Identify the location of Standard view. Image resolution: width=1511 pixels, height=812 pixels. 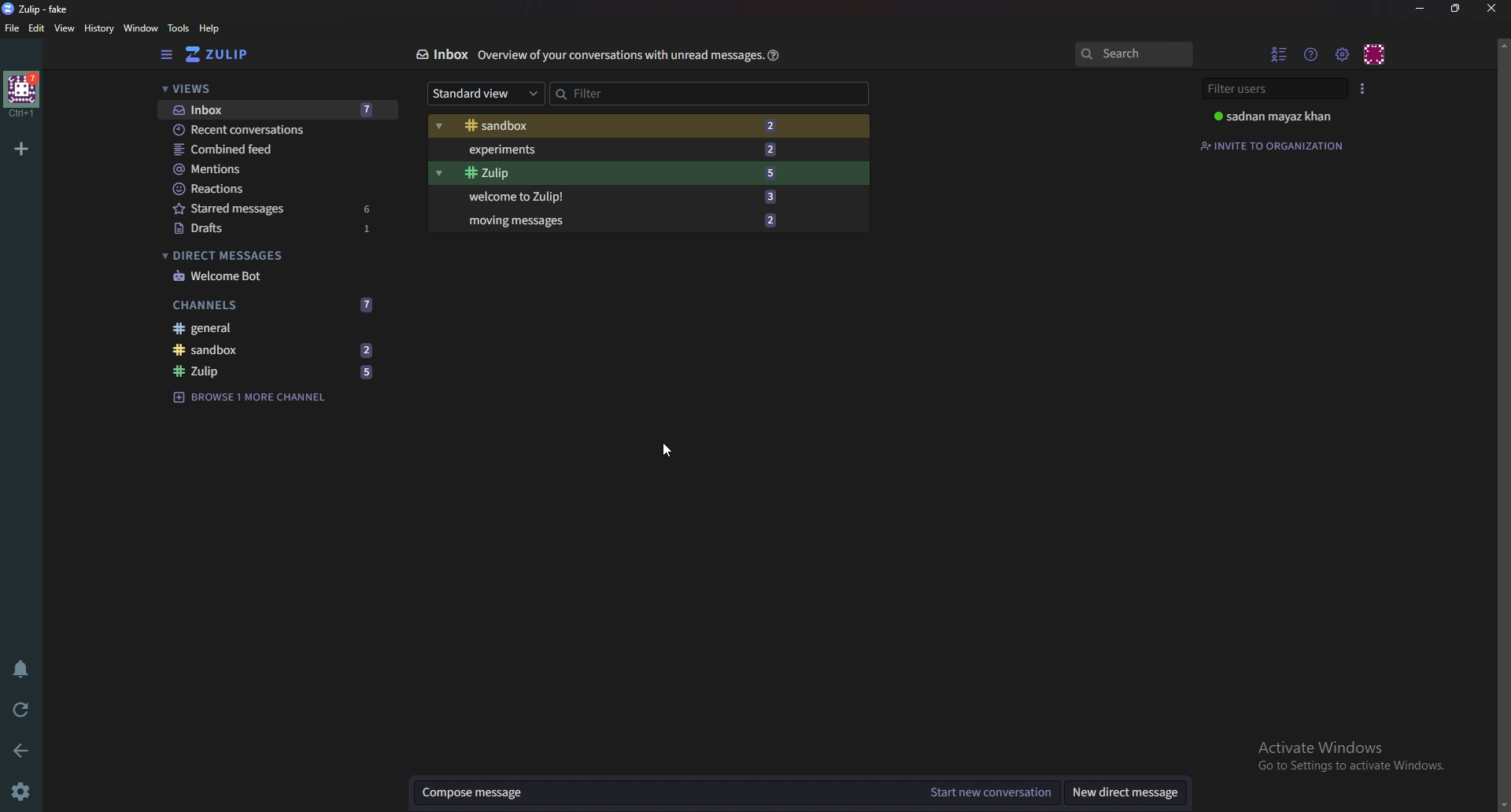
(486, 93).